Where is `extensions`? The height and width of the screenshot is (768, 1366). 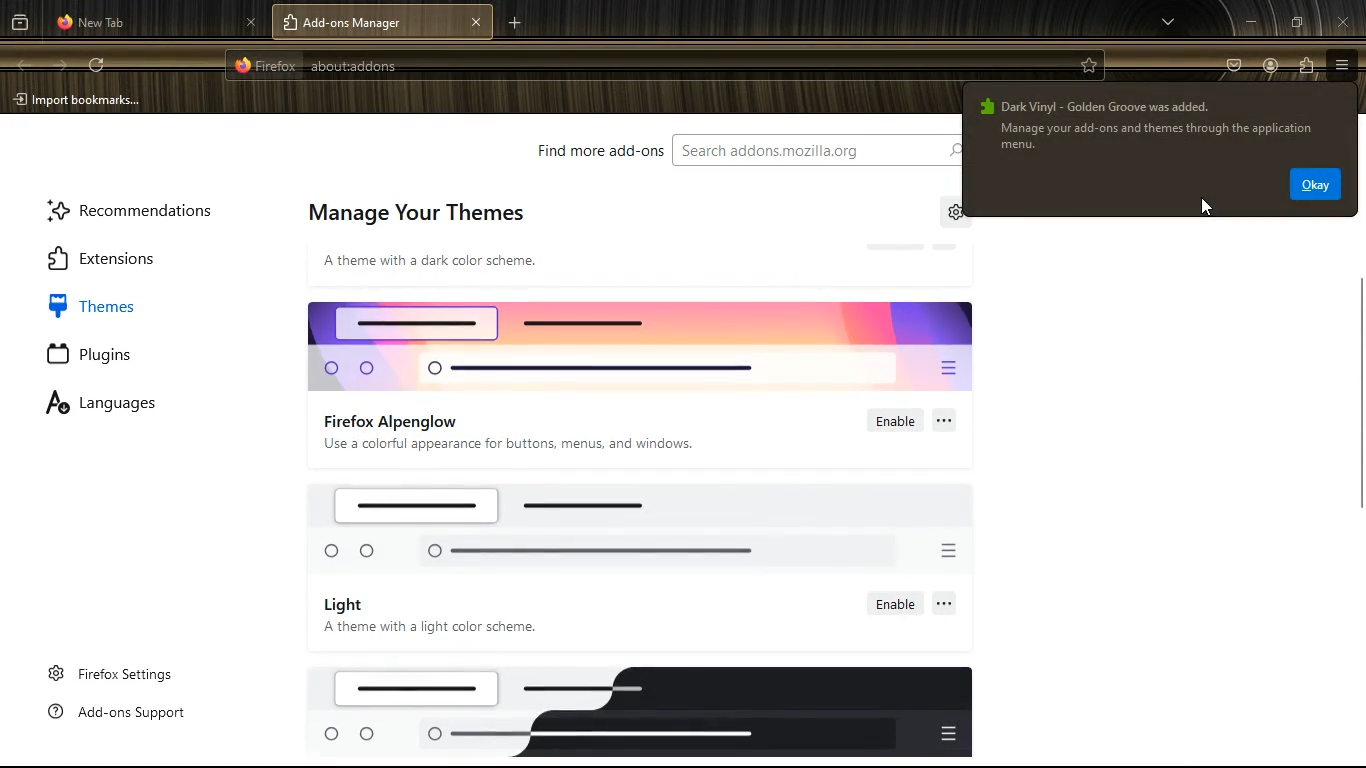
extensions is located at coordinates (125, 256).